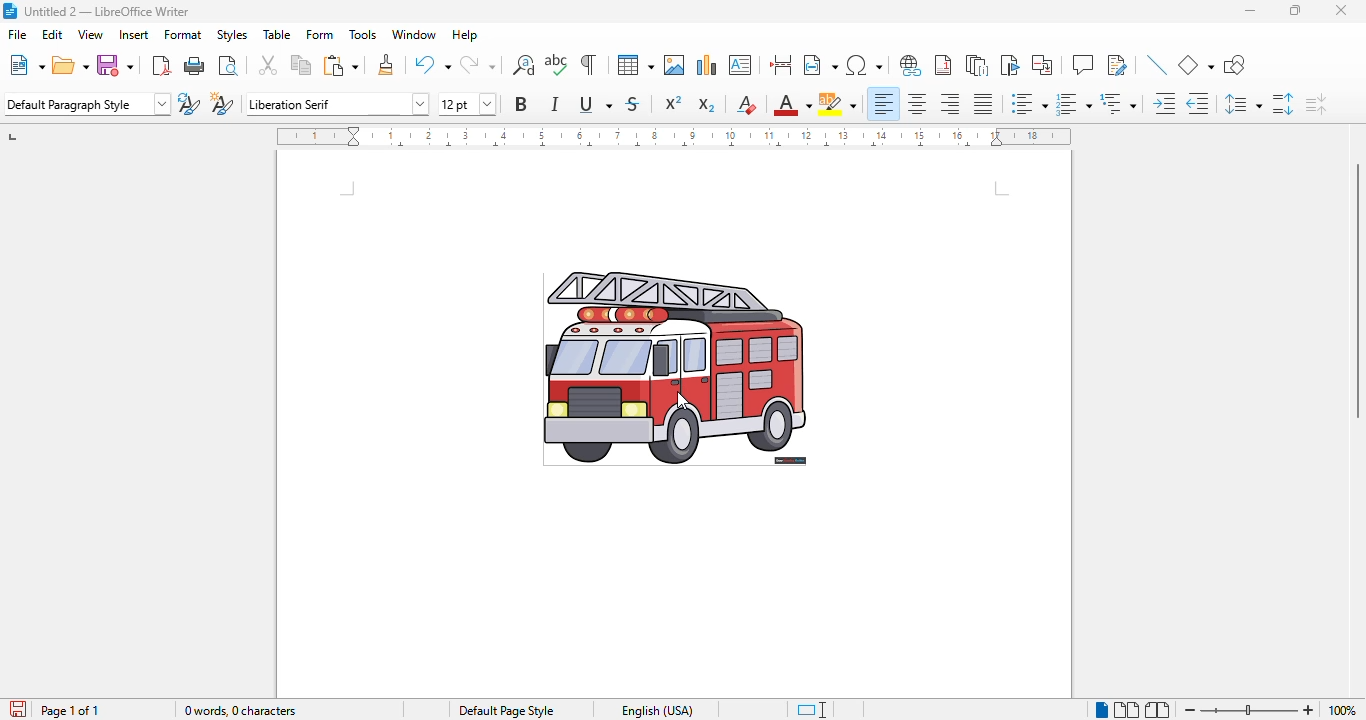 This screenshot has width=1366, height=720. Describe the element at coordinates (321, 34) in the screenshot. I see `form` at that location.